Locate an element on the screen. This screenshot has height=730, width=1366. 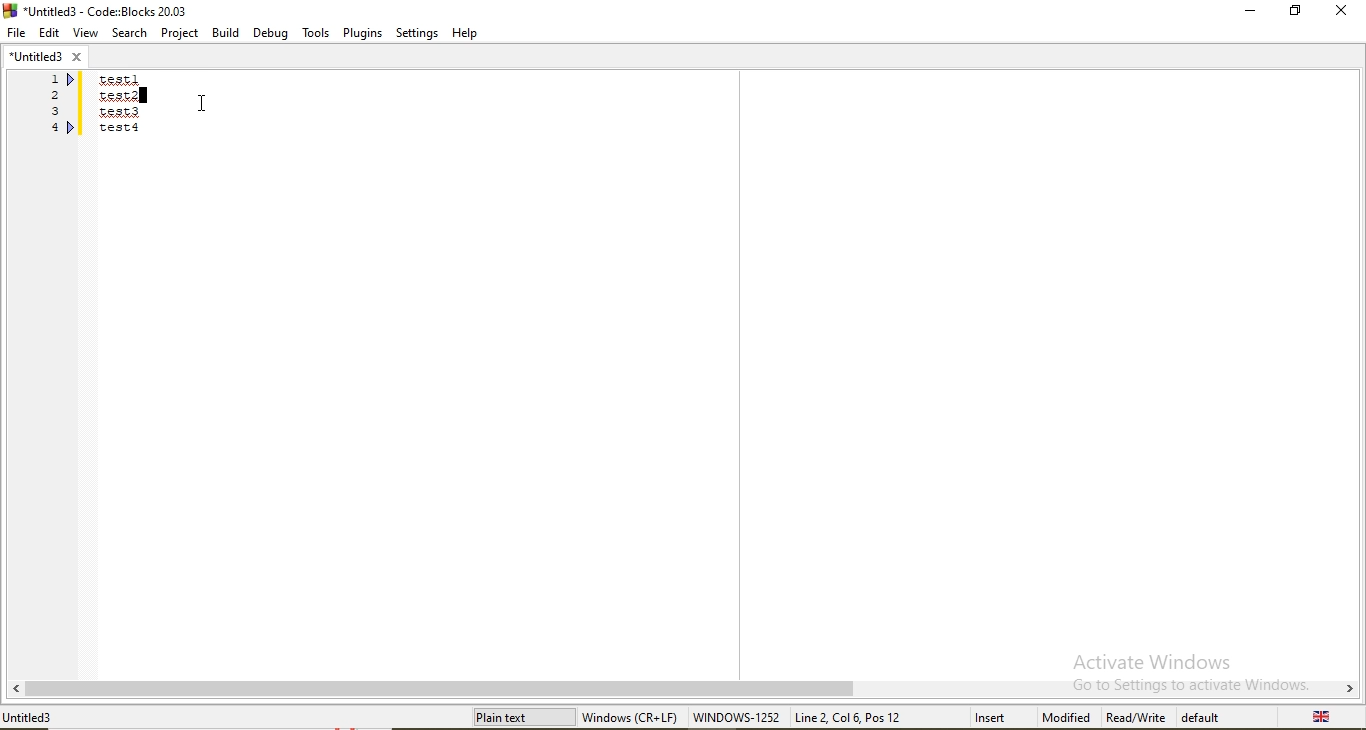
Restore is located at coordinates (1294, 10).